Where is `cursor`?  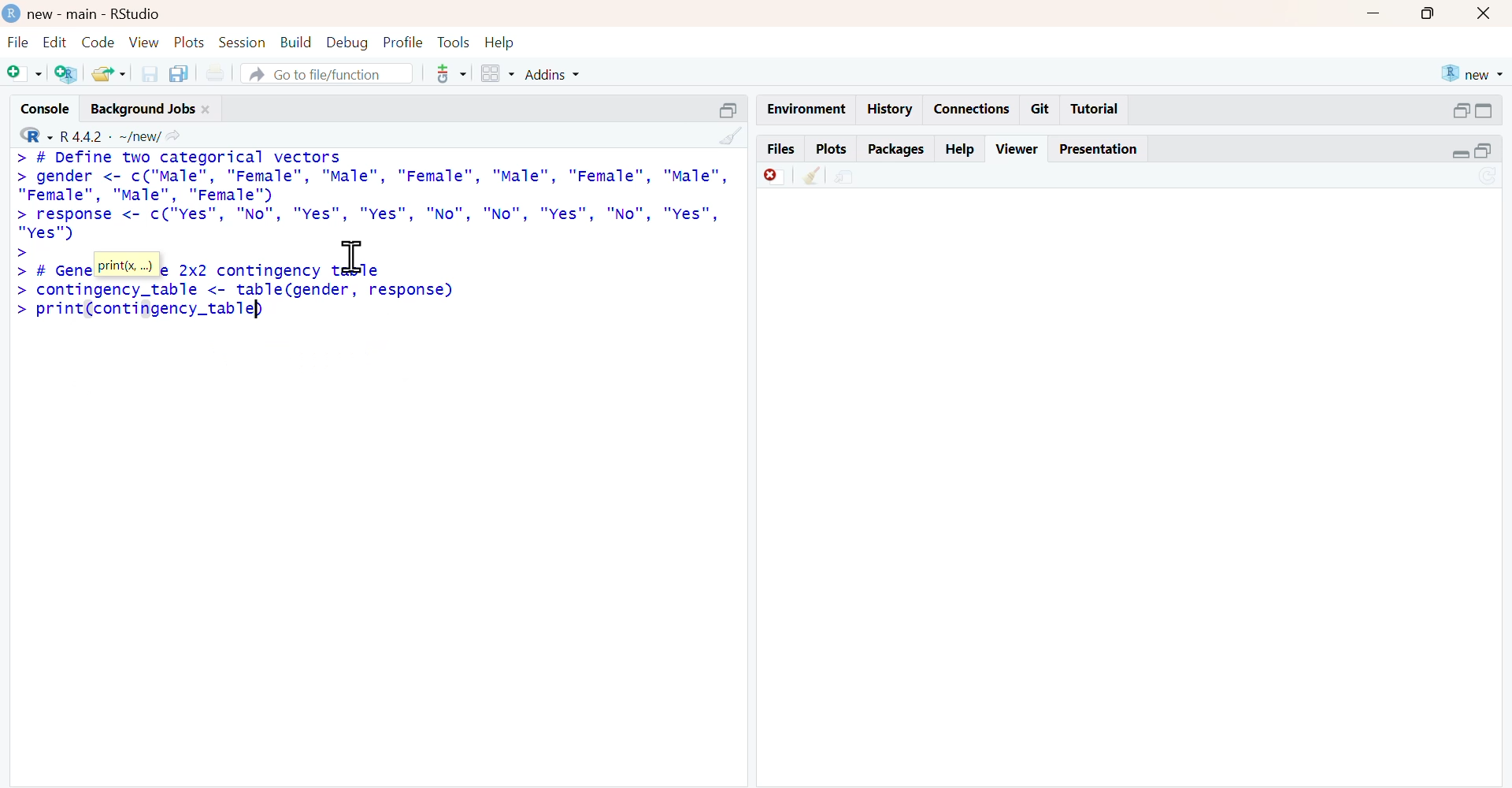
cursor is located at coordinates (352, 257).